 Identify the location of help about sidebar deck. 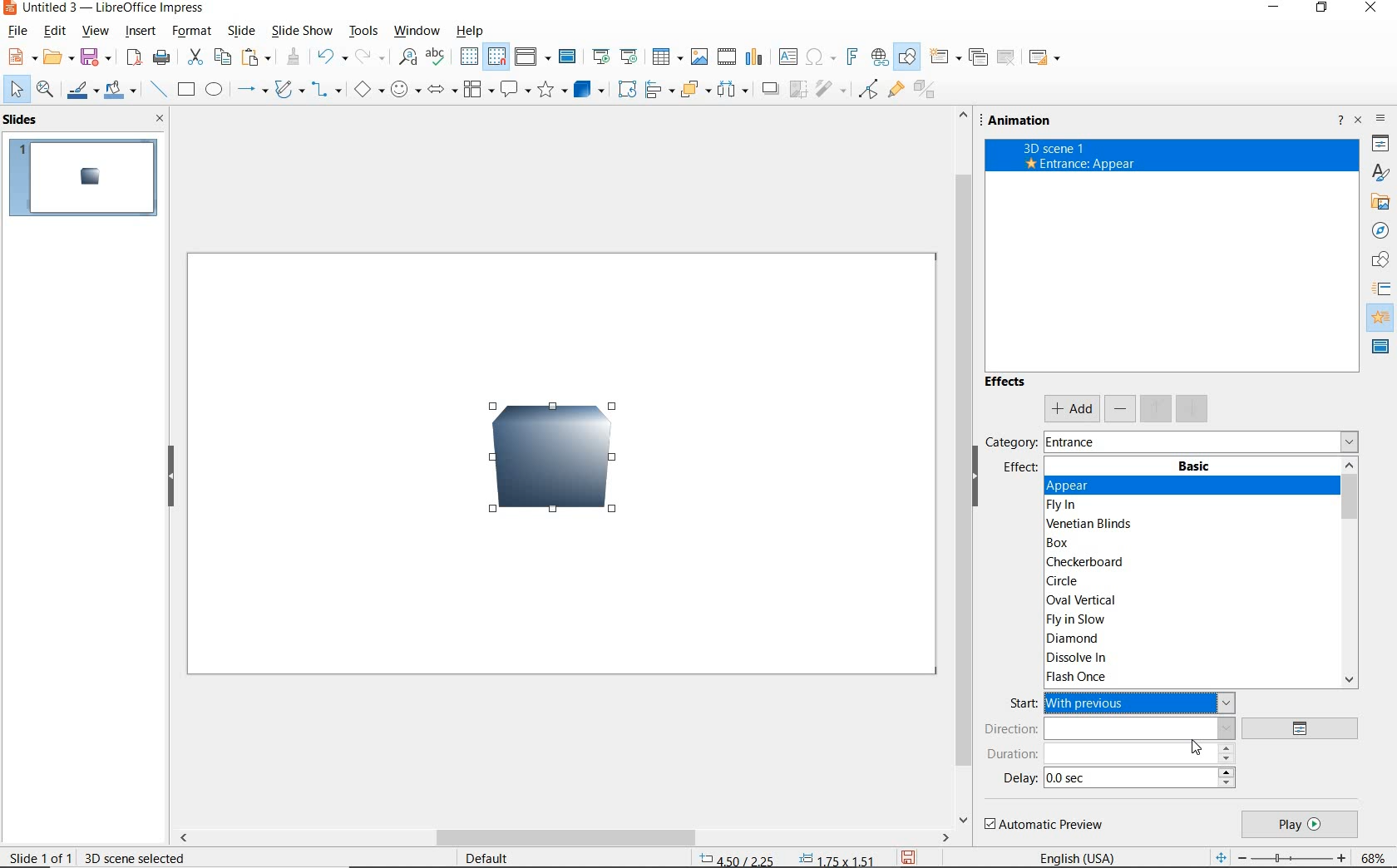
(1338, 122).